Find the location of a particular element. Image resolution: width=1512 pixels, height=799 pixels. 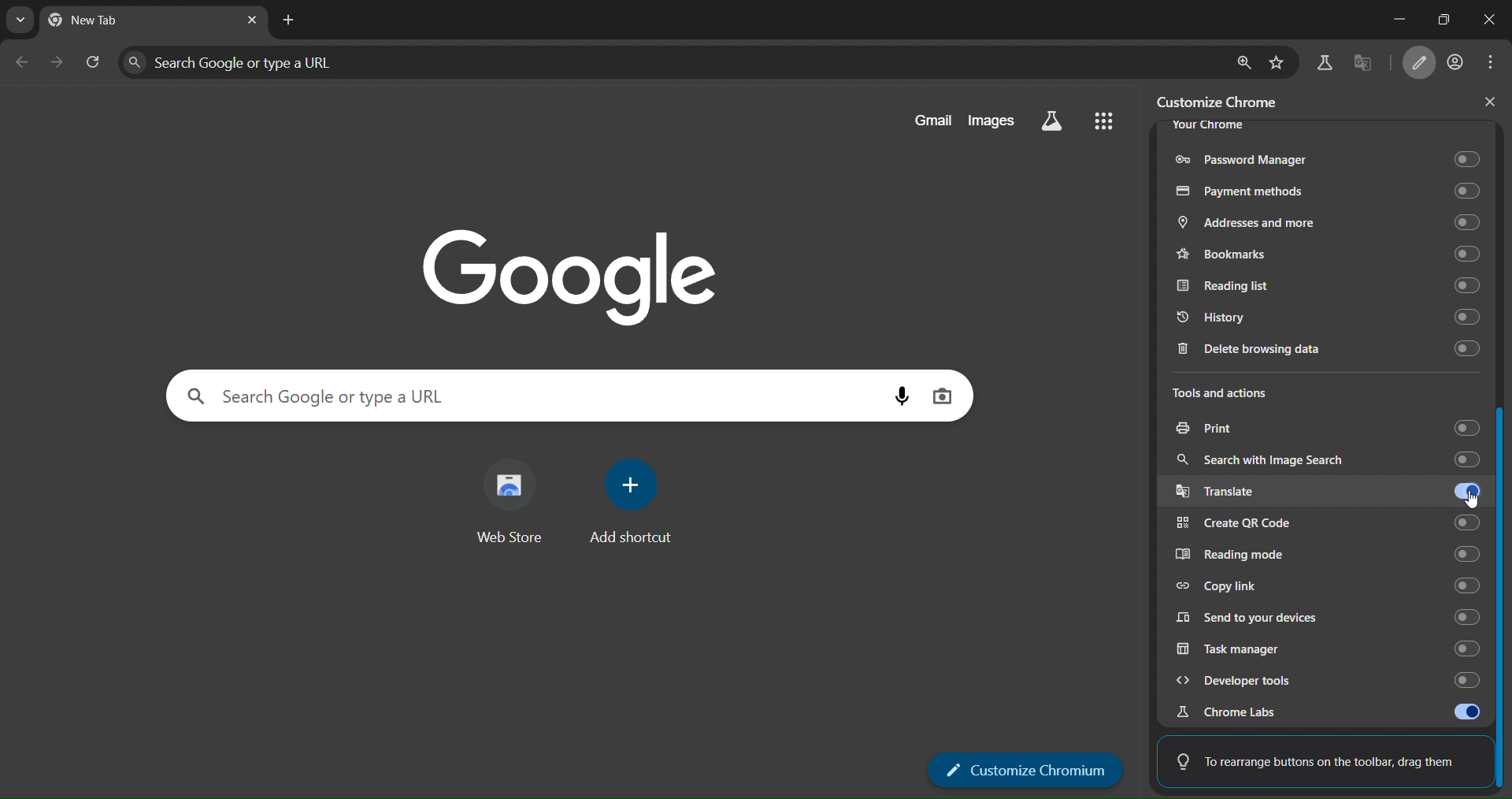

account is located at coordinates (1457, 61).